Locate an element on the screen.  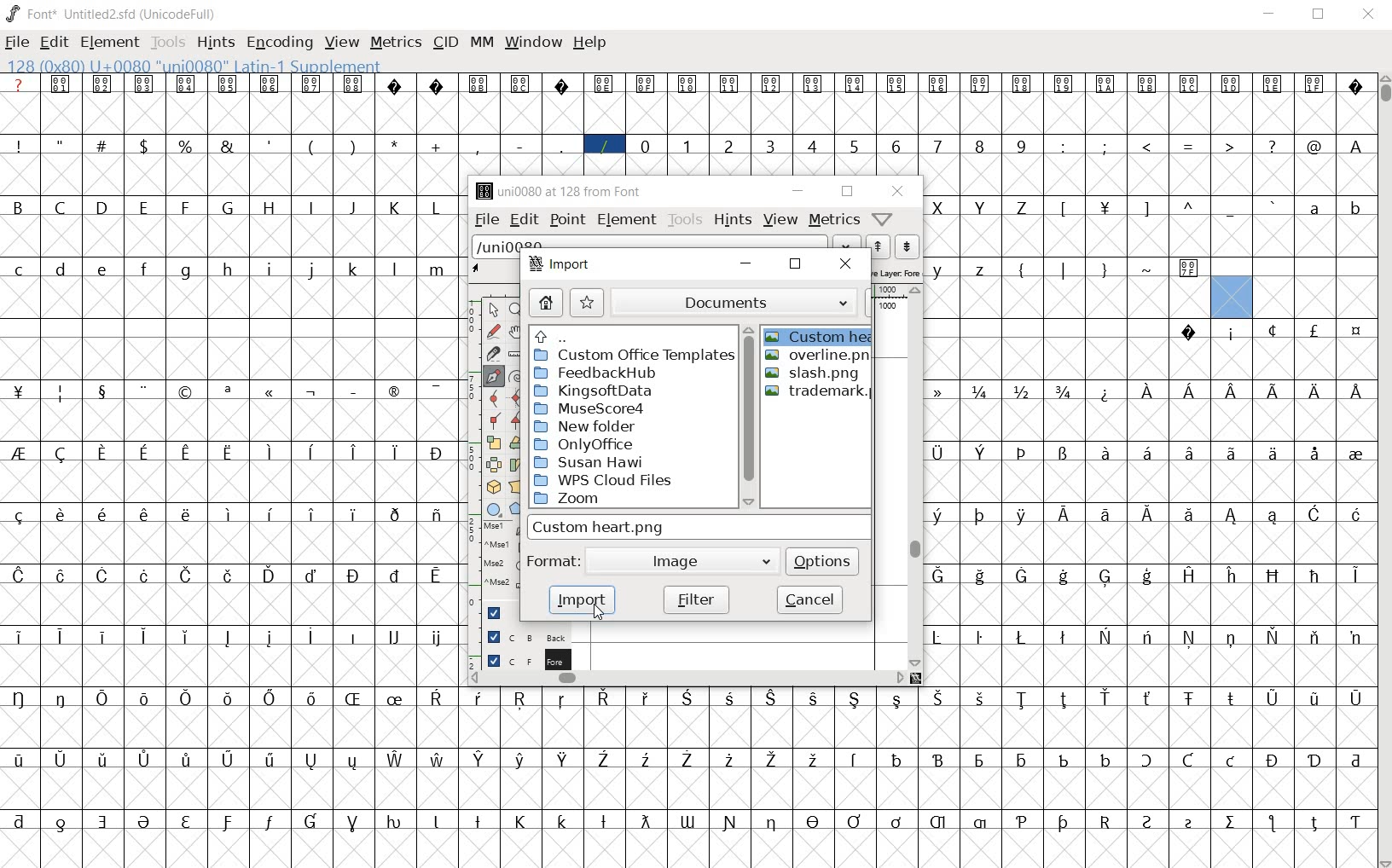
glyph is located at coordinates (61, 84).